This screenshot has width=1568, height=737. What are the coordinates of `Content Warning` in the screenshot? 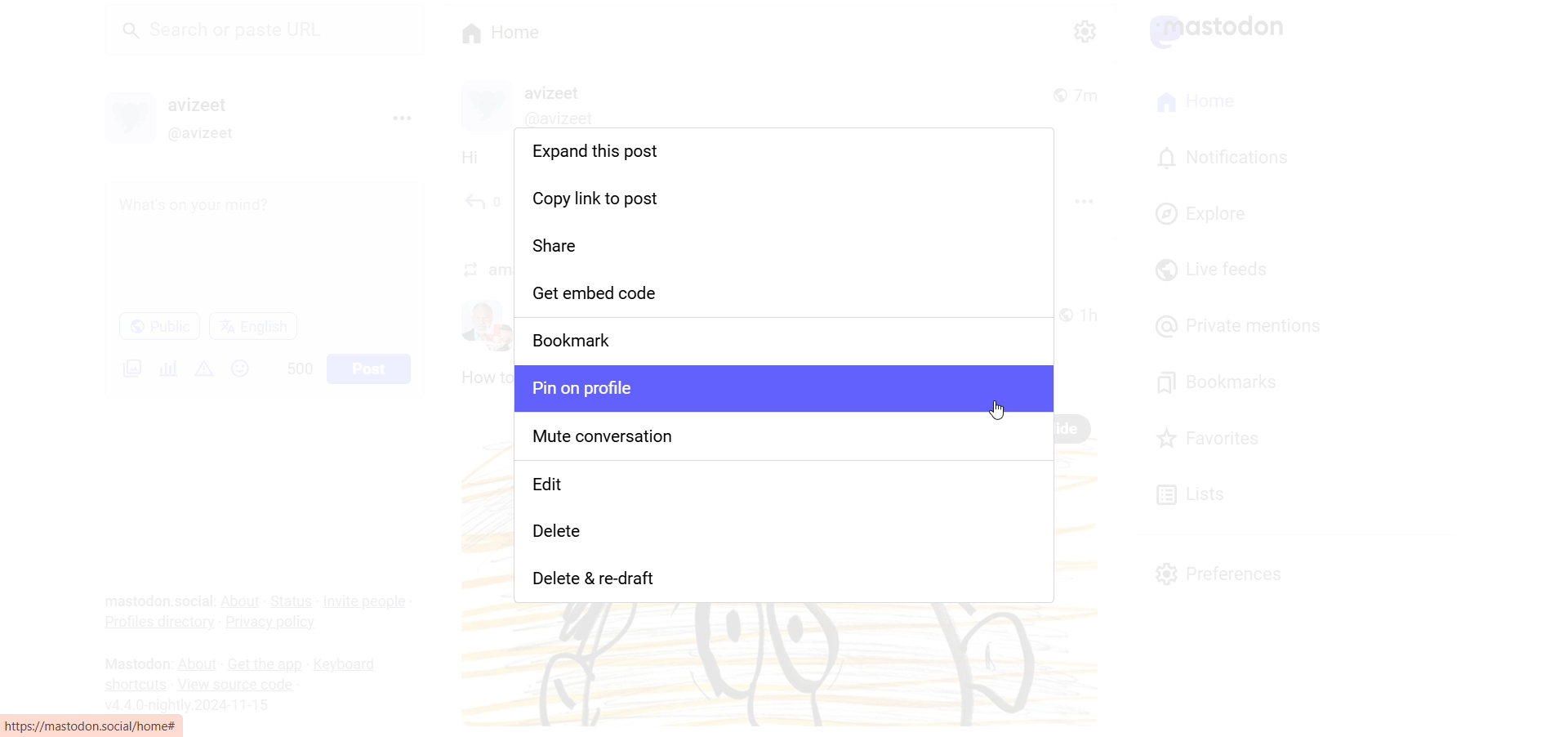 It's located at (205, 368).